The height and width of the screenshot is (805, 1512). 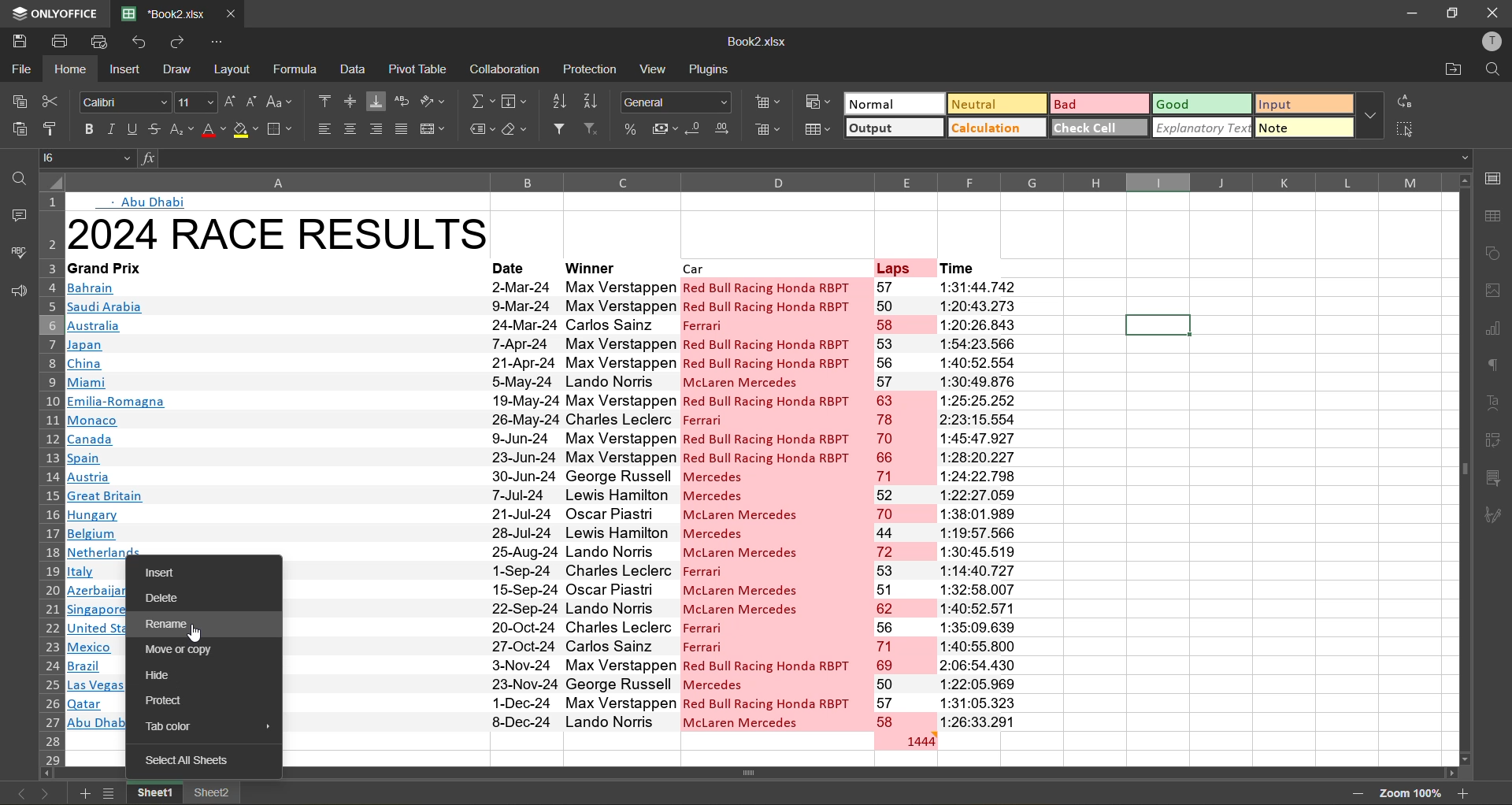 I want to click on protection, so click(x=591, y=70).